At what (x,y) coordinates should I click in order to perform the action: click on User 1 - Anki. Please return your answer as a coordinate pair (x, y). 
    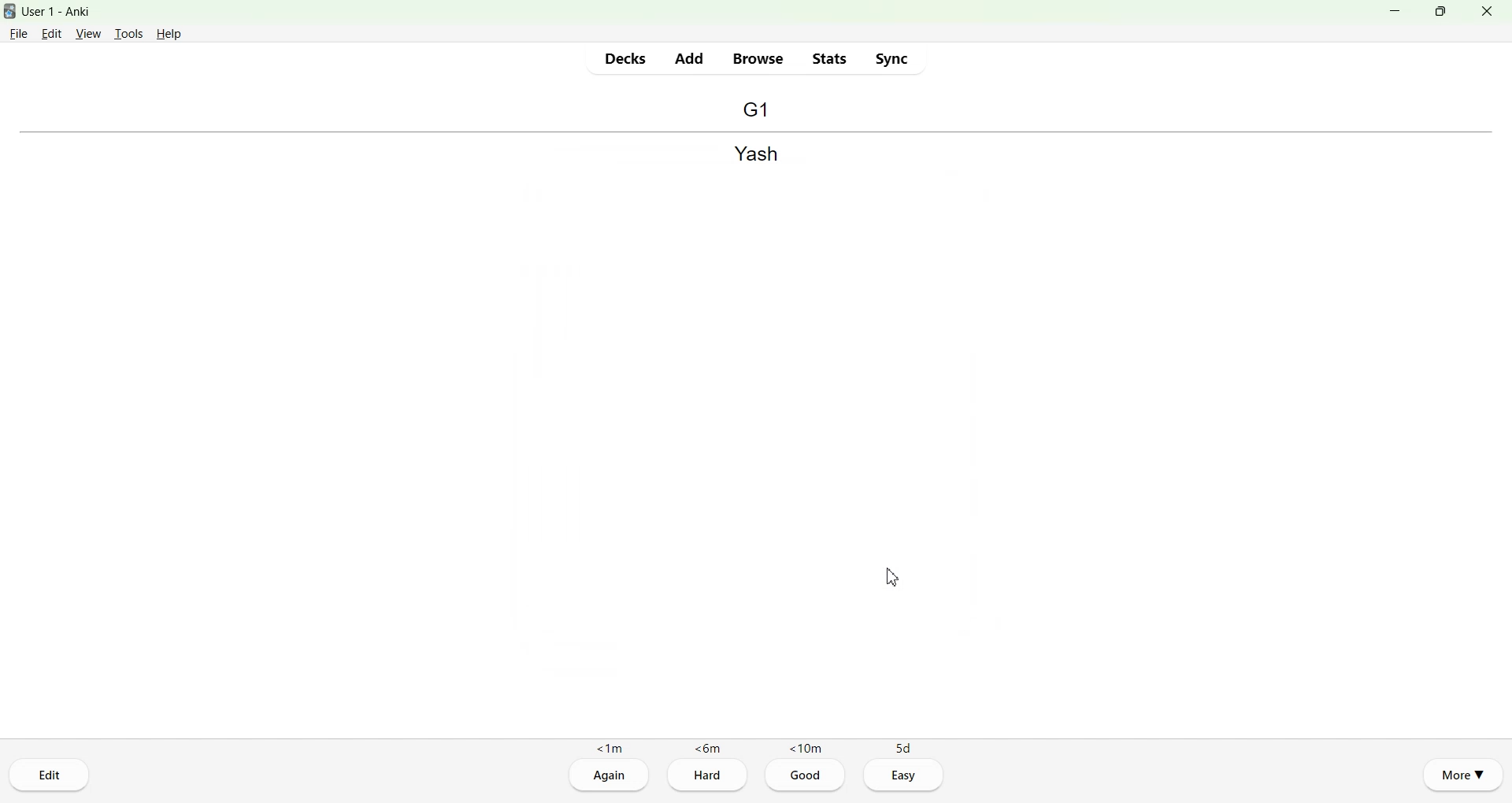
    Looking at the image, I should click on (66, 12).